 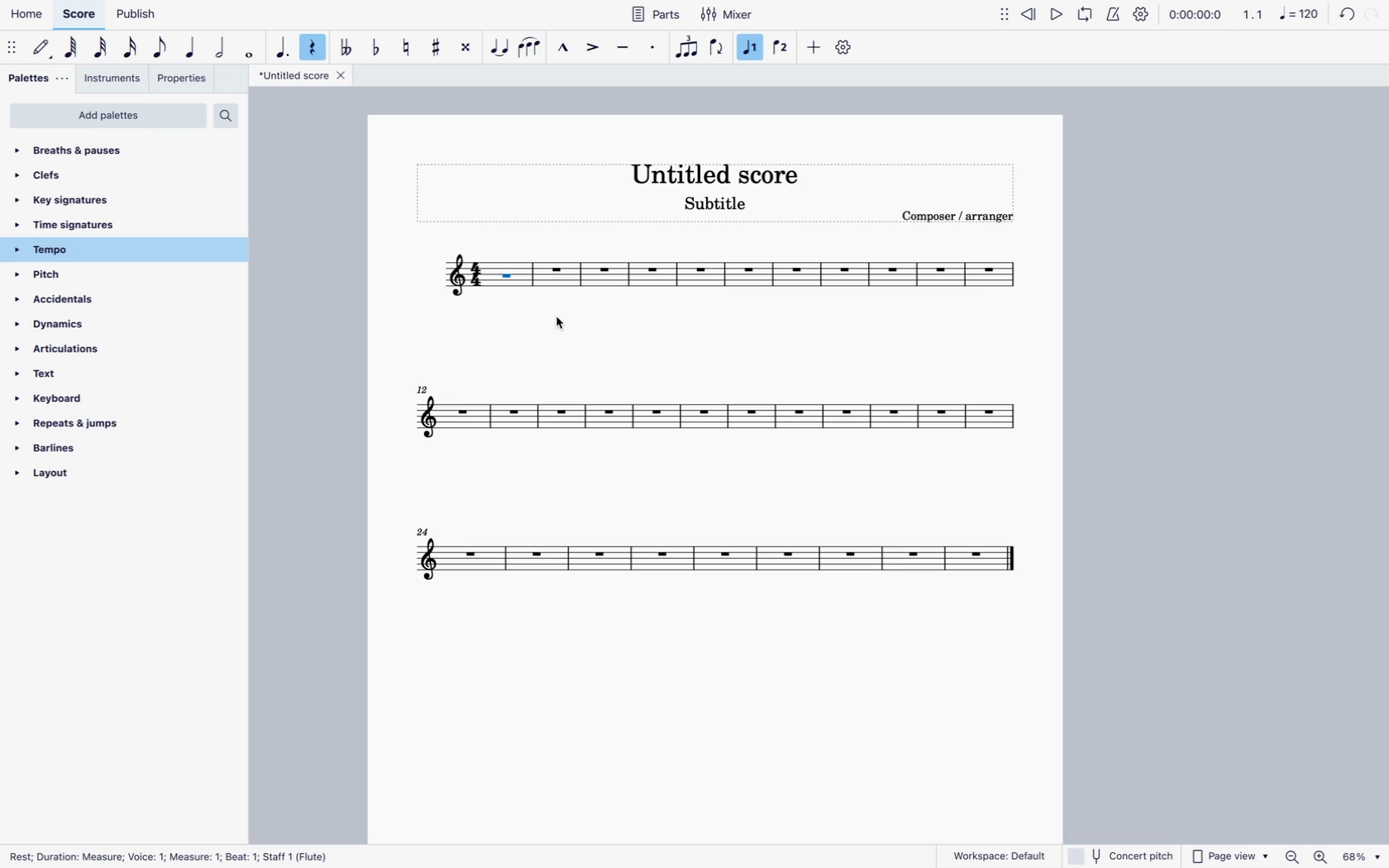 What do you see at coordinates (81, 425) in the screenshot?
I see `repeats & jumps` at bounding box center [81, 425].